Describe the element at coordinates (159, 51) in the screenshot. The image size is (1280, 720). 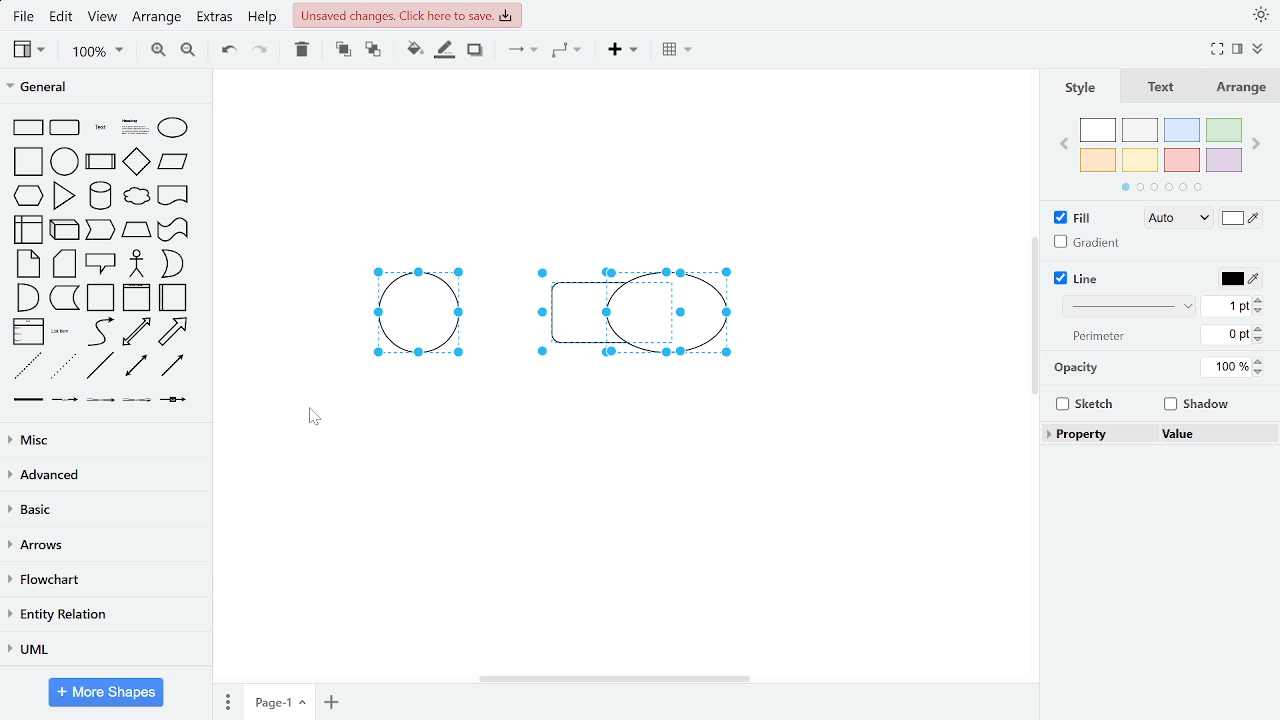
I see `zoom in` at that location.